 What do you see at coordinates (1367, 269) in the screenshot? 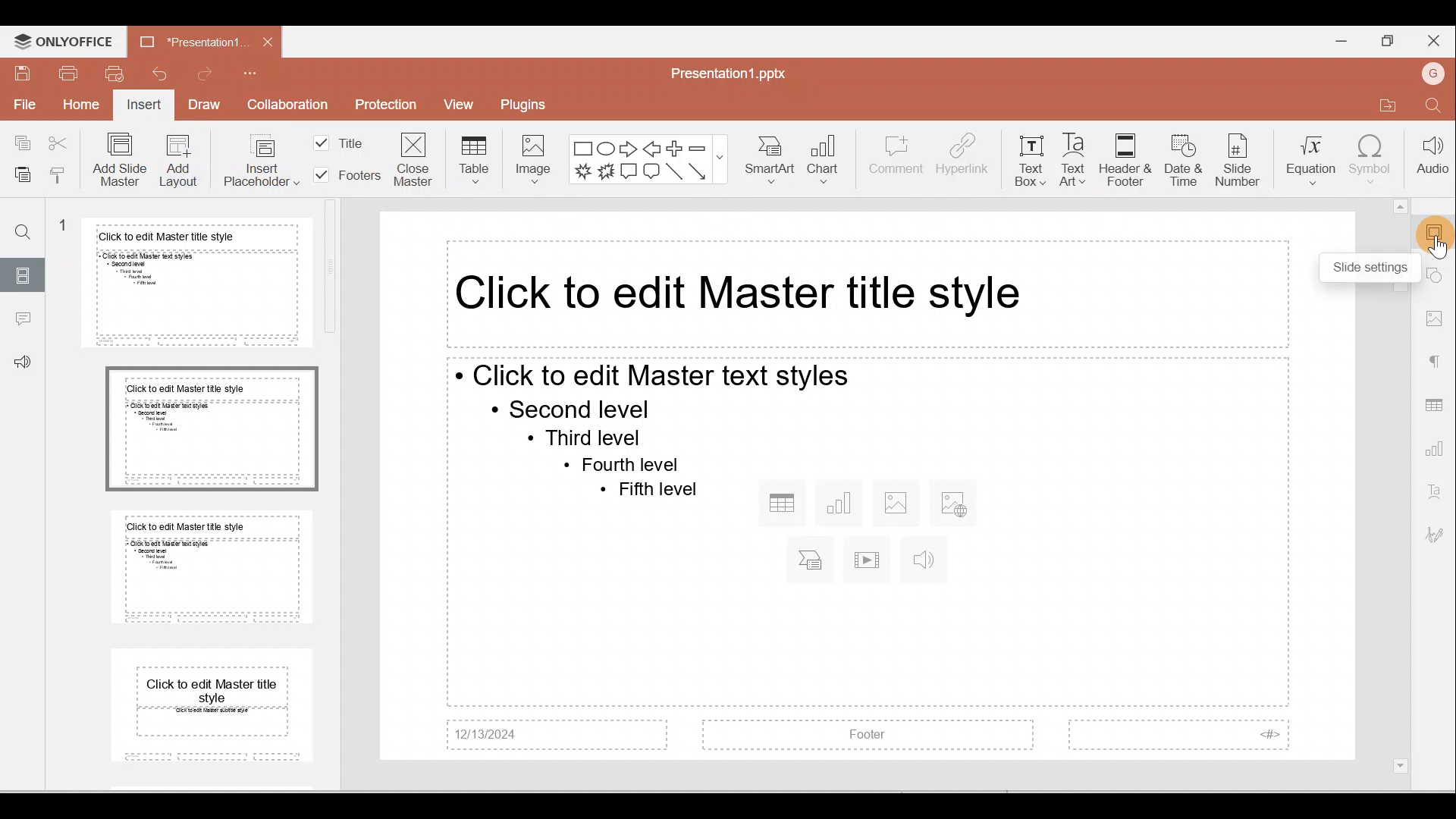
I see `` at bounding box center [1367, 269].